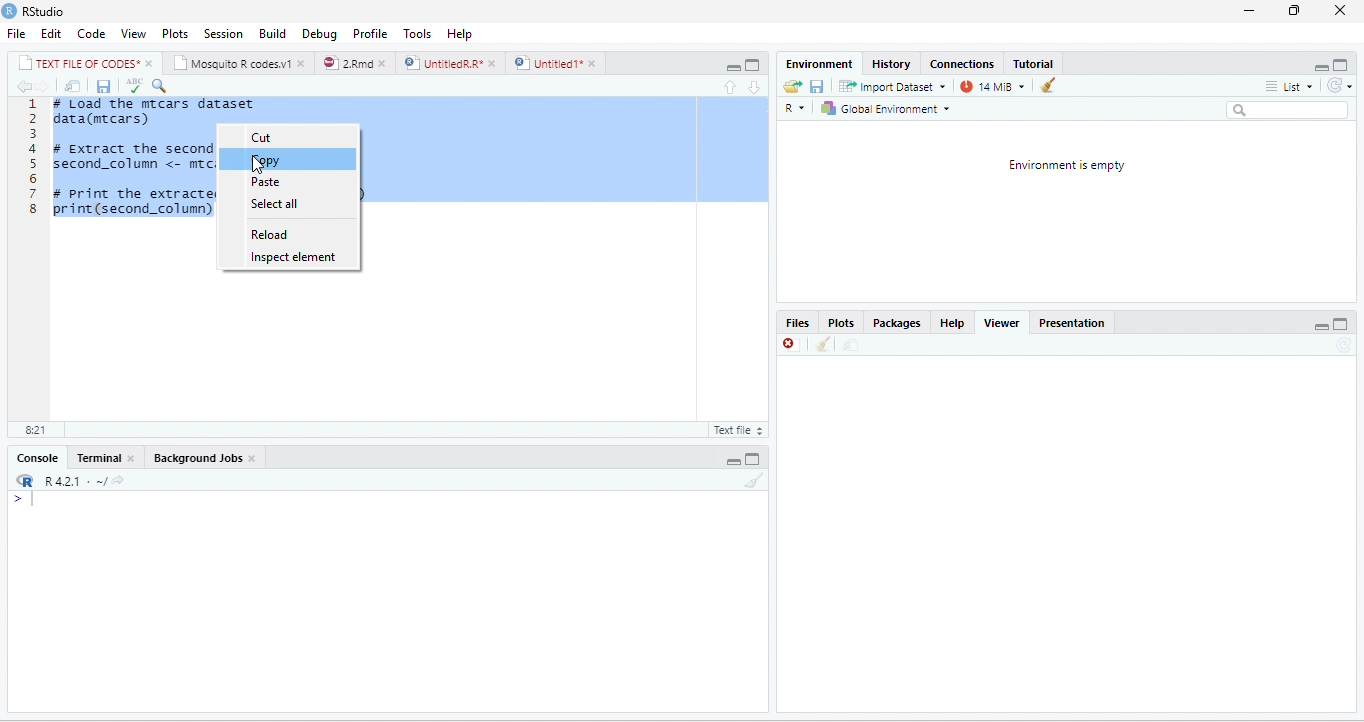  What do you see at coordinates (22, 86) in the screenshot?
I see `previous ` at bounding box center [22, 86].